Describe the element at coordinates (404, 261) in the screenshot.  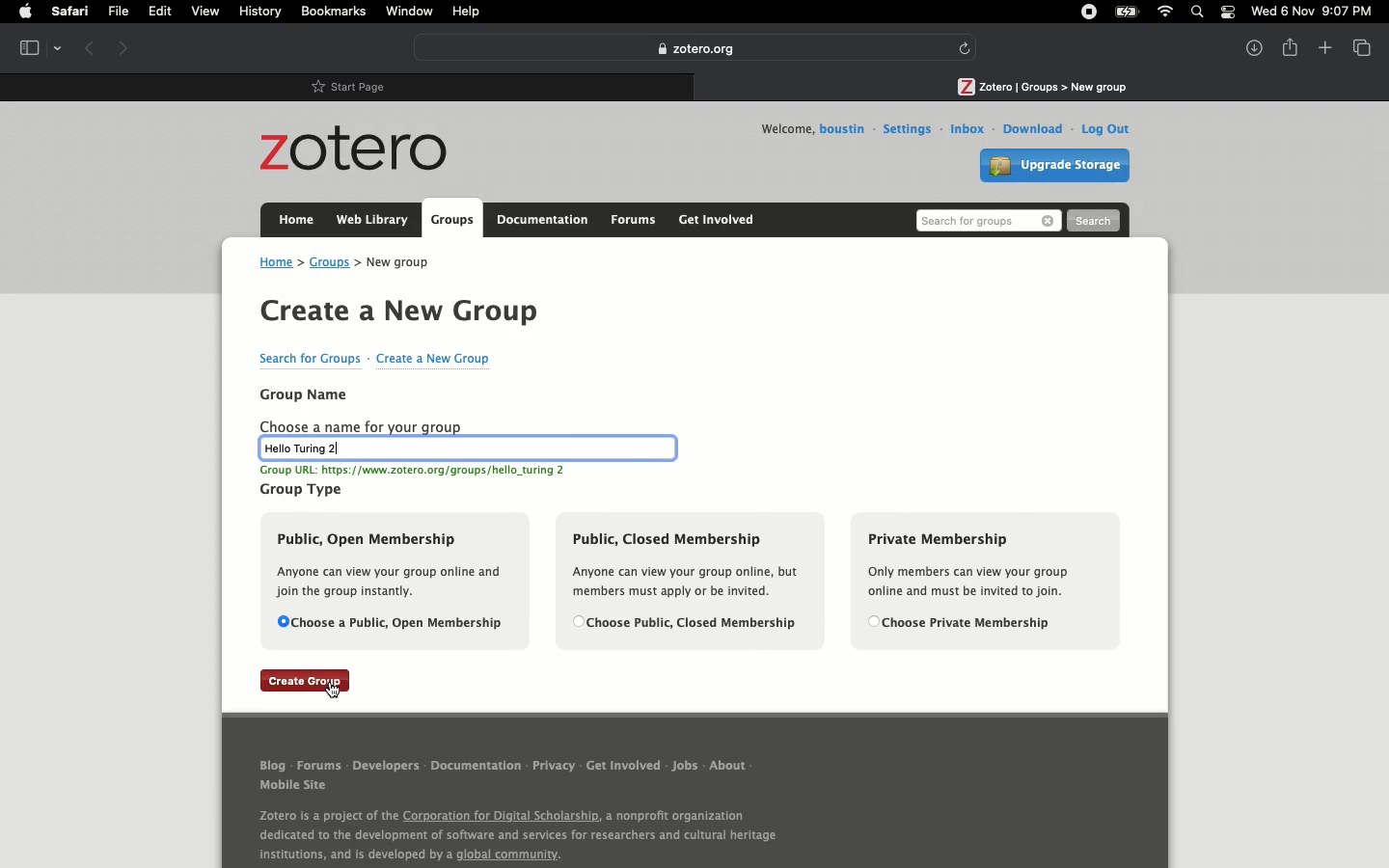
I see `New group` at that location.